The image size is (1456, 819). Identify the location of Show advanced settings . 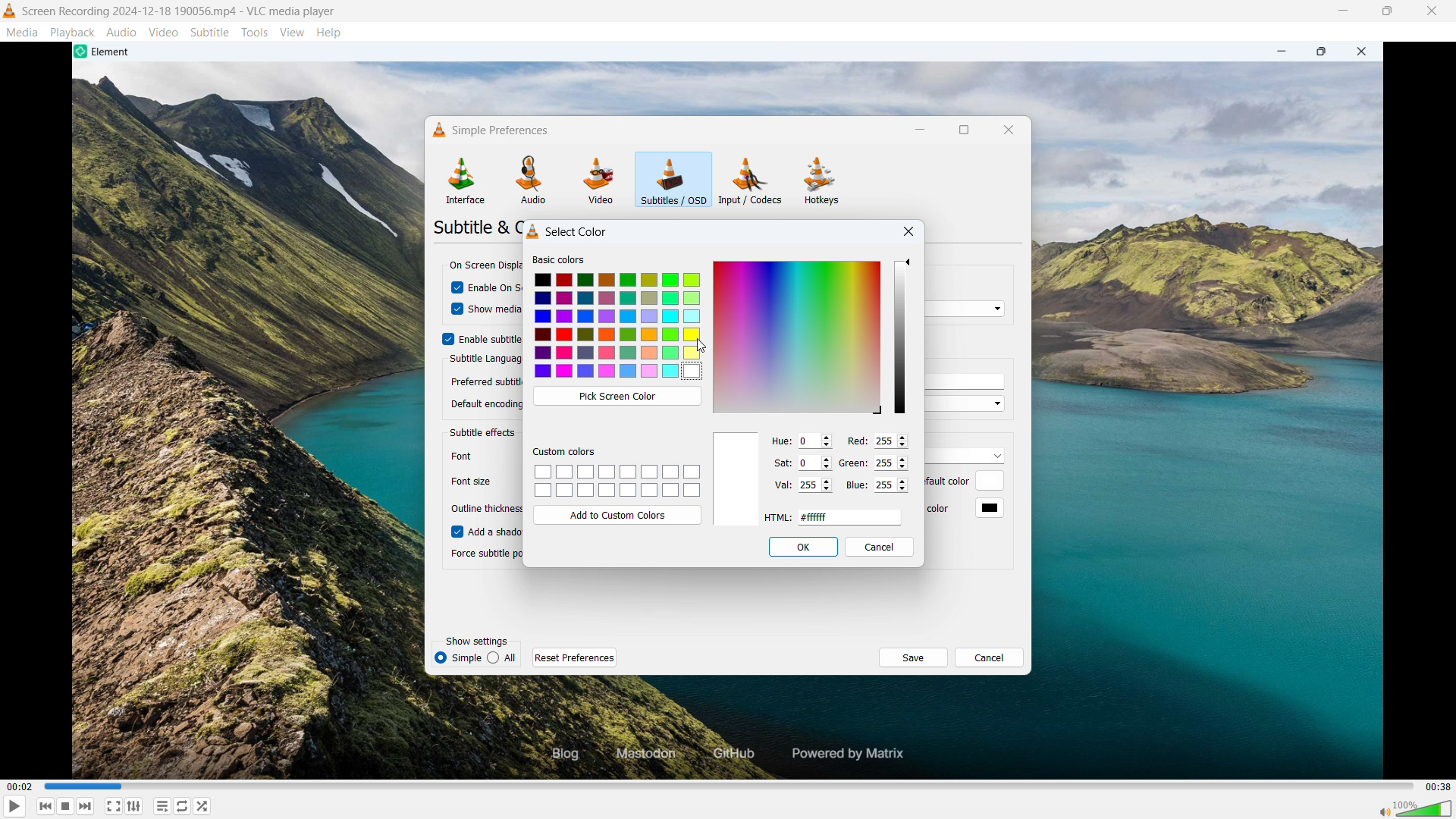
(133, 806).